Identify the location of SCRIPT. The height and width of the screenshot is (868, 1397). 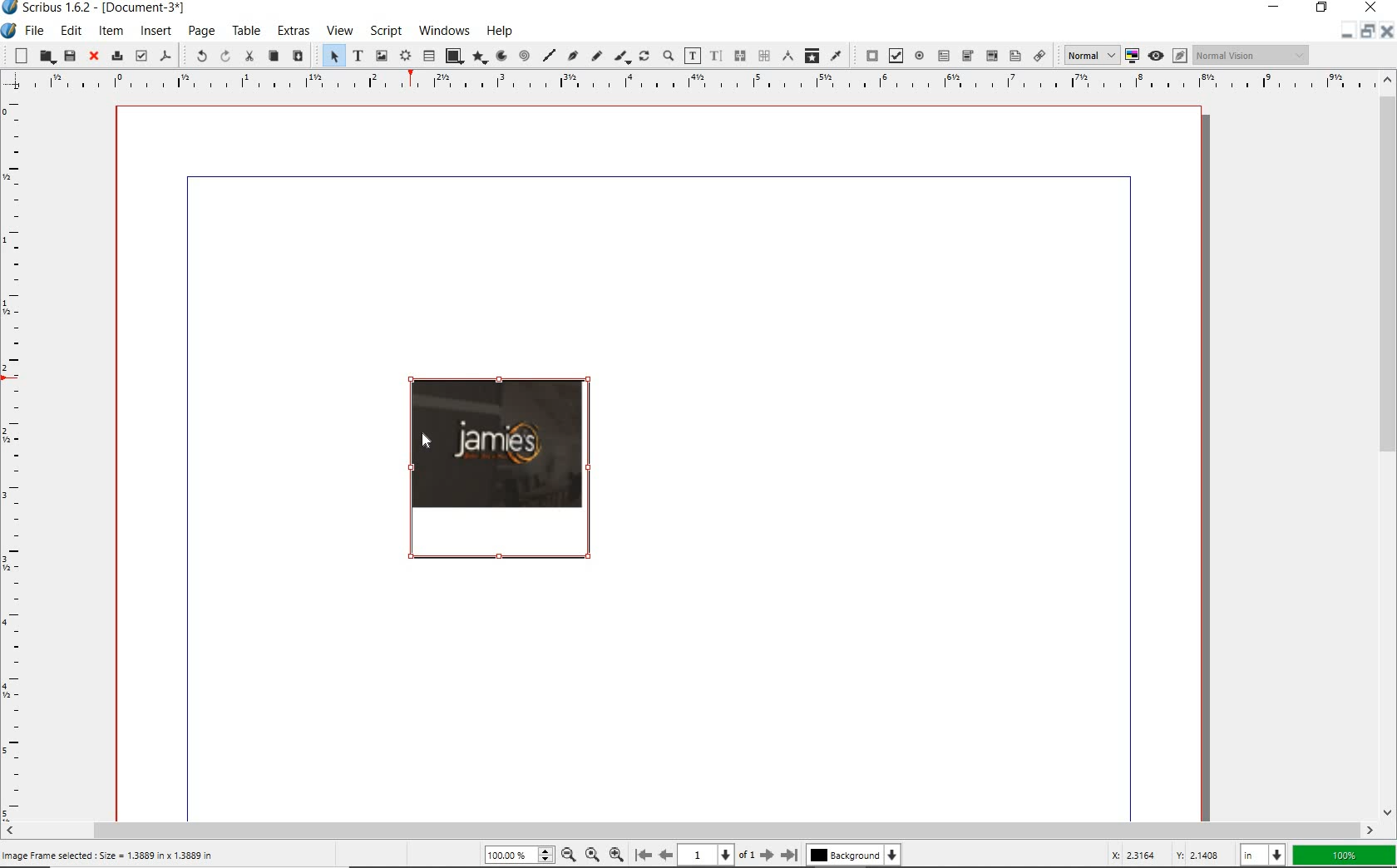
(386, 31).